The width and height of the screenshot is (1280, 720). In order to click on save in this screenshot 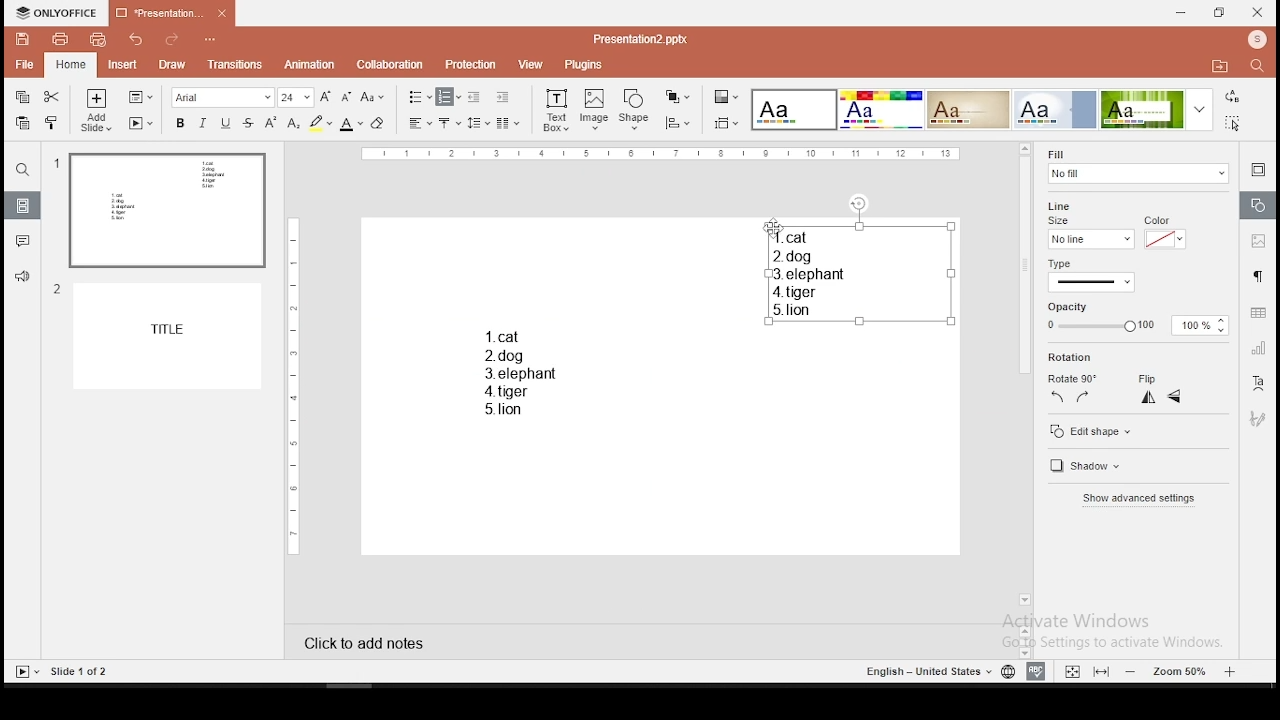, I will do `click(22, 38)`.